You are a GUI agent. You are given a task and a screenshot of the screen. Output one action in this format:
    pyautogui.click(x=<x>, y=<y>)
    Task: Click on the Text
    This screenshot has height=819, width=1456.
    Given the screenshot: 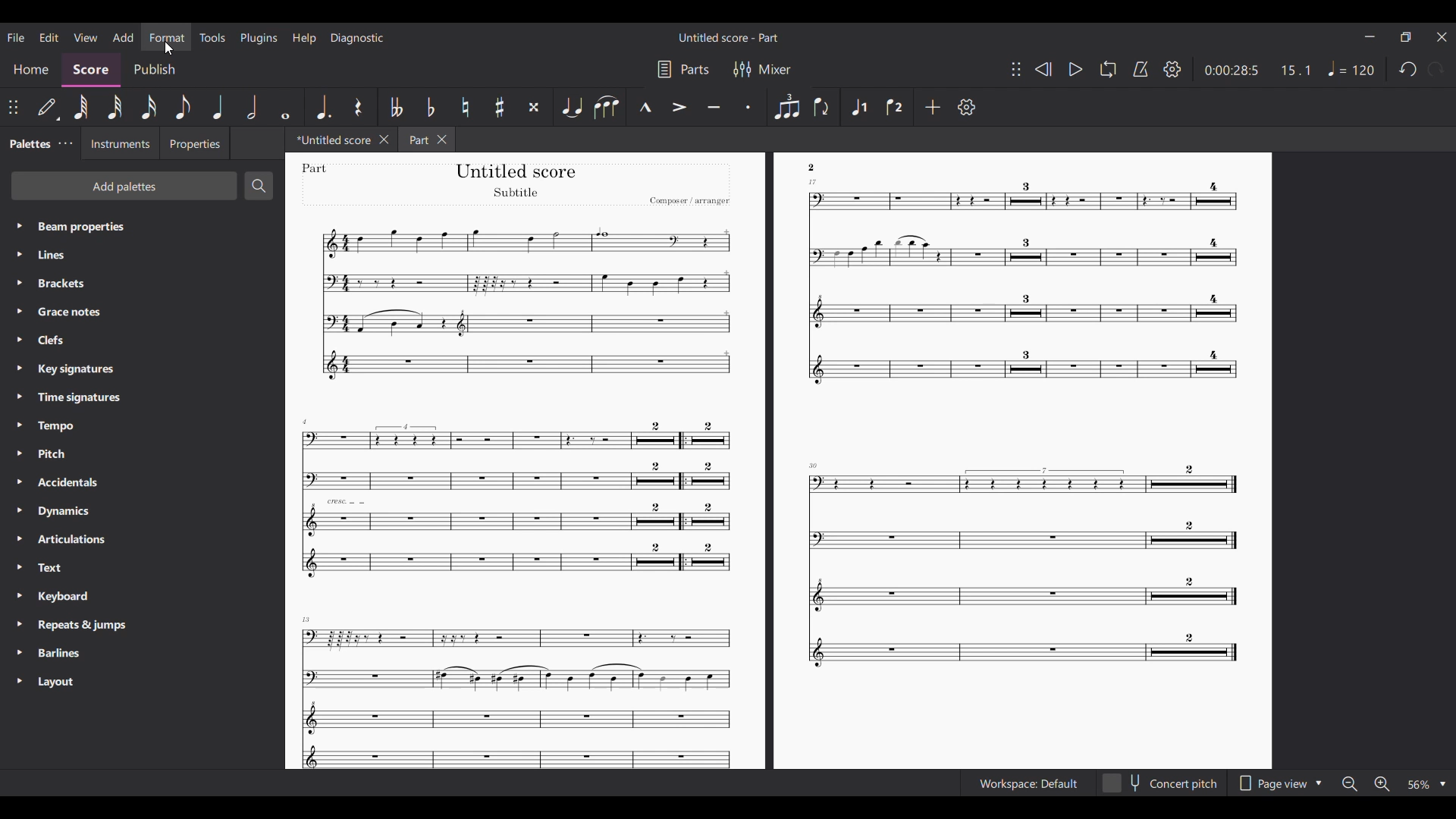 What is the action you would take?
    pyautogui.click(x=66, y=566)
    